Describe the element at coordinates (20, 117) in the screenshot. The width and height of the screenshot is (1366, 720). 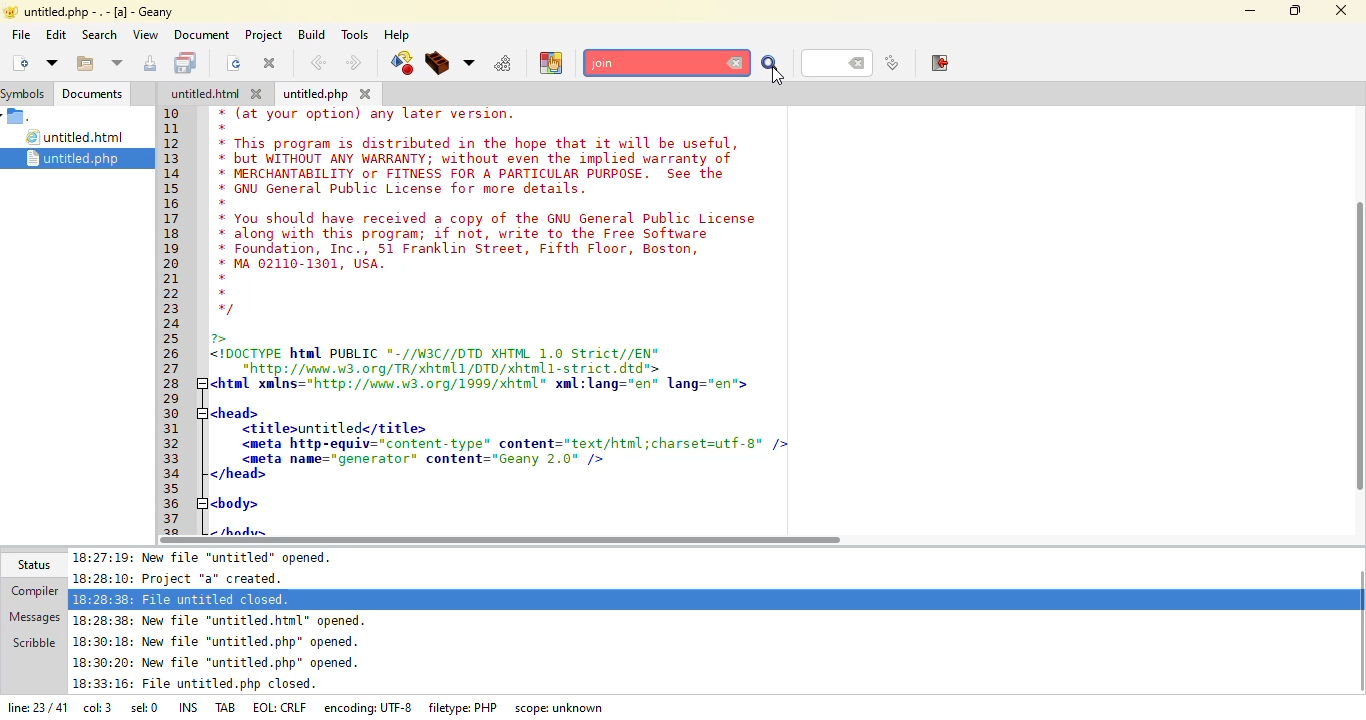
I see `File` at that location.